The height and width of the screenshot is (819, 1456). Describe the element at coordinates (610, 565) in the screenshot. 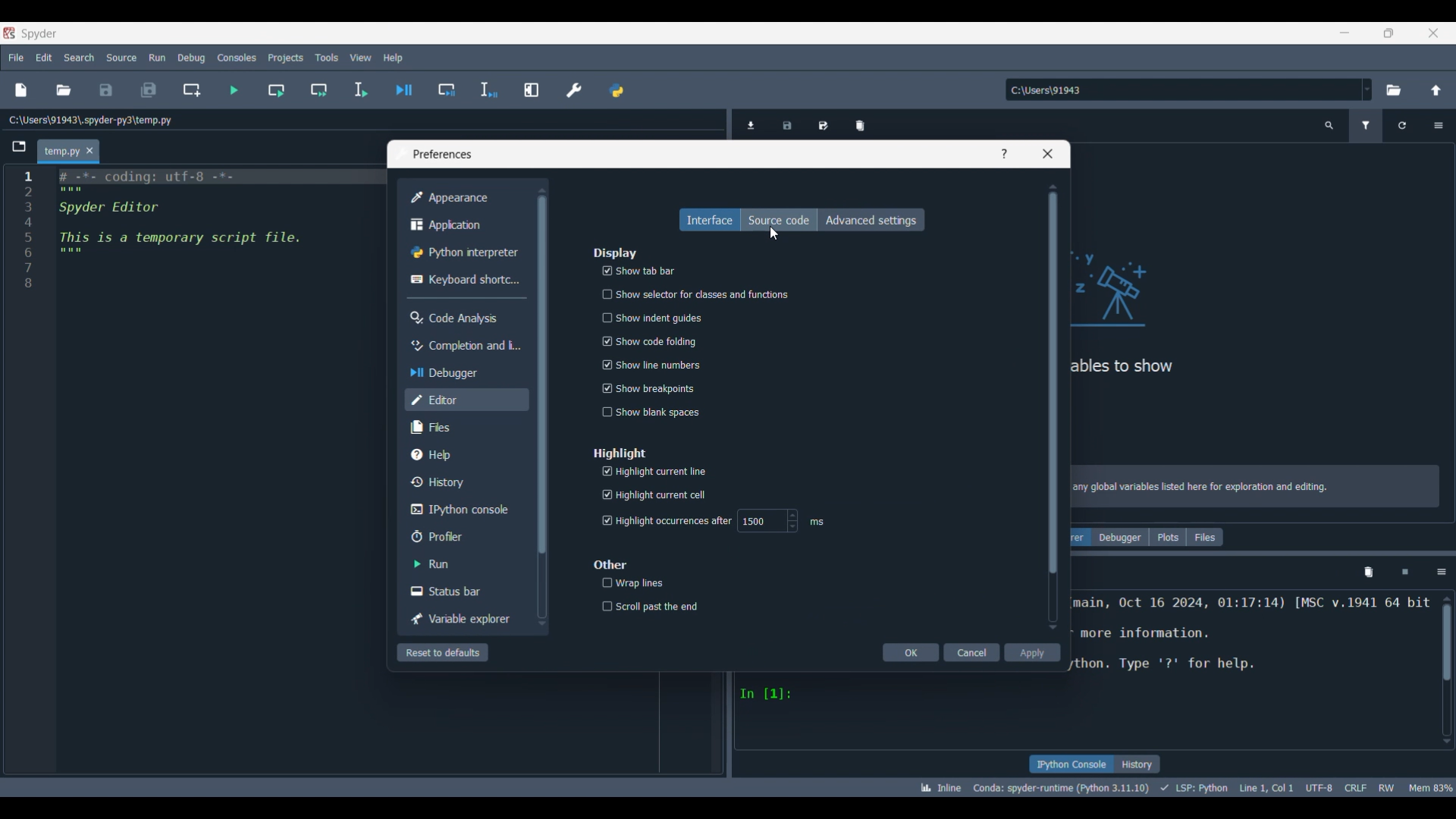

I see `Section title` at that location.